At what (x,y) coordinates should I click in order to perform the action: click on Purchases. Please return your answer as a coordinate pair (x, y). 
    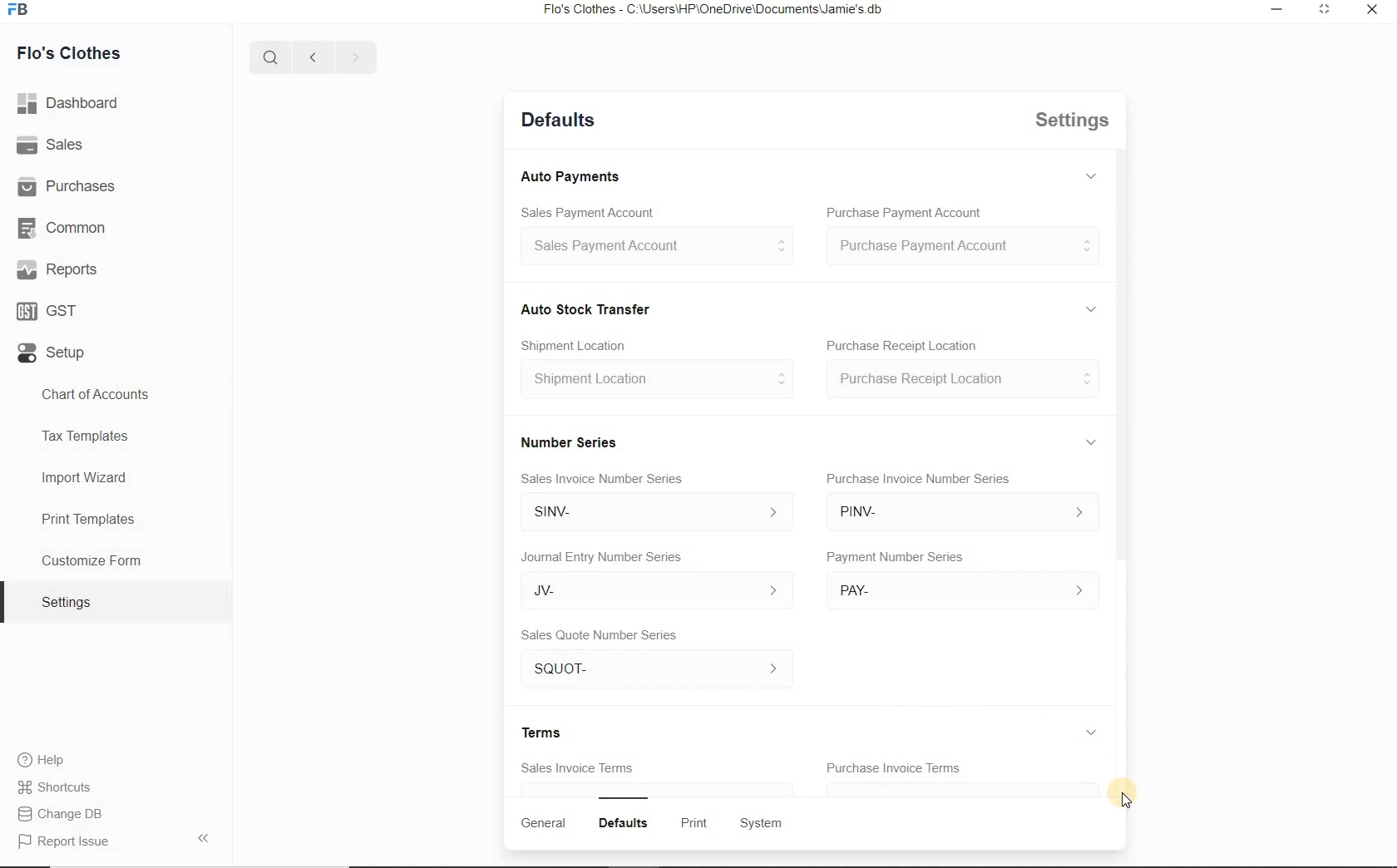
    Looking at the image, I should click on (67, 185).